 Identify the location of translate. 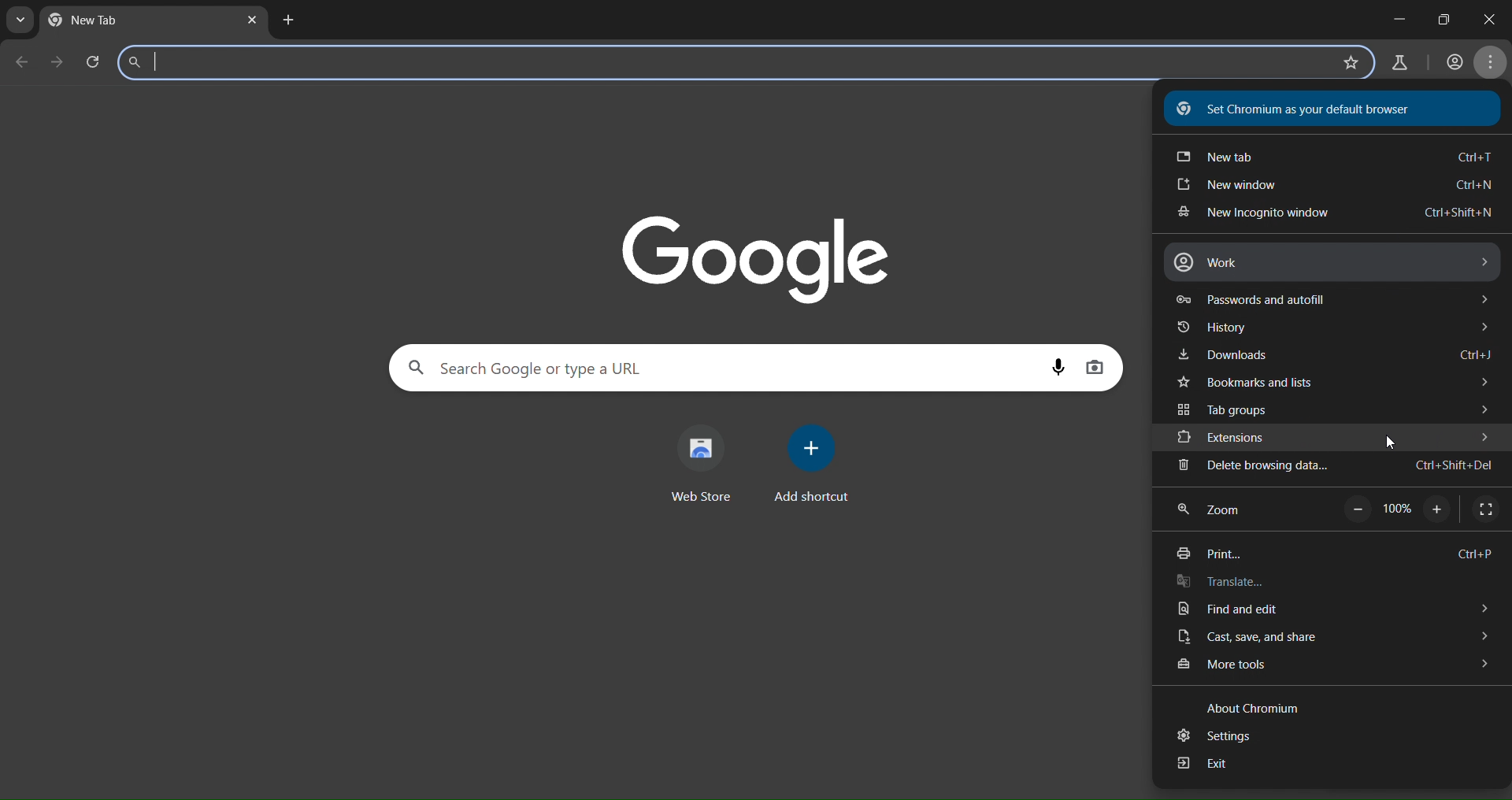
(1262, 583).